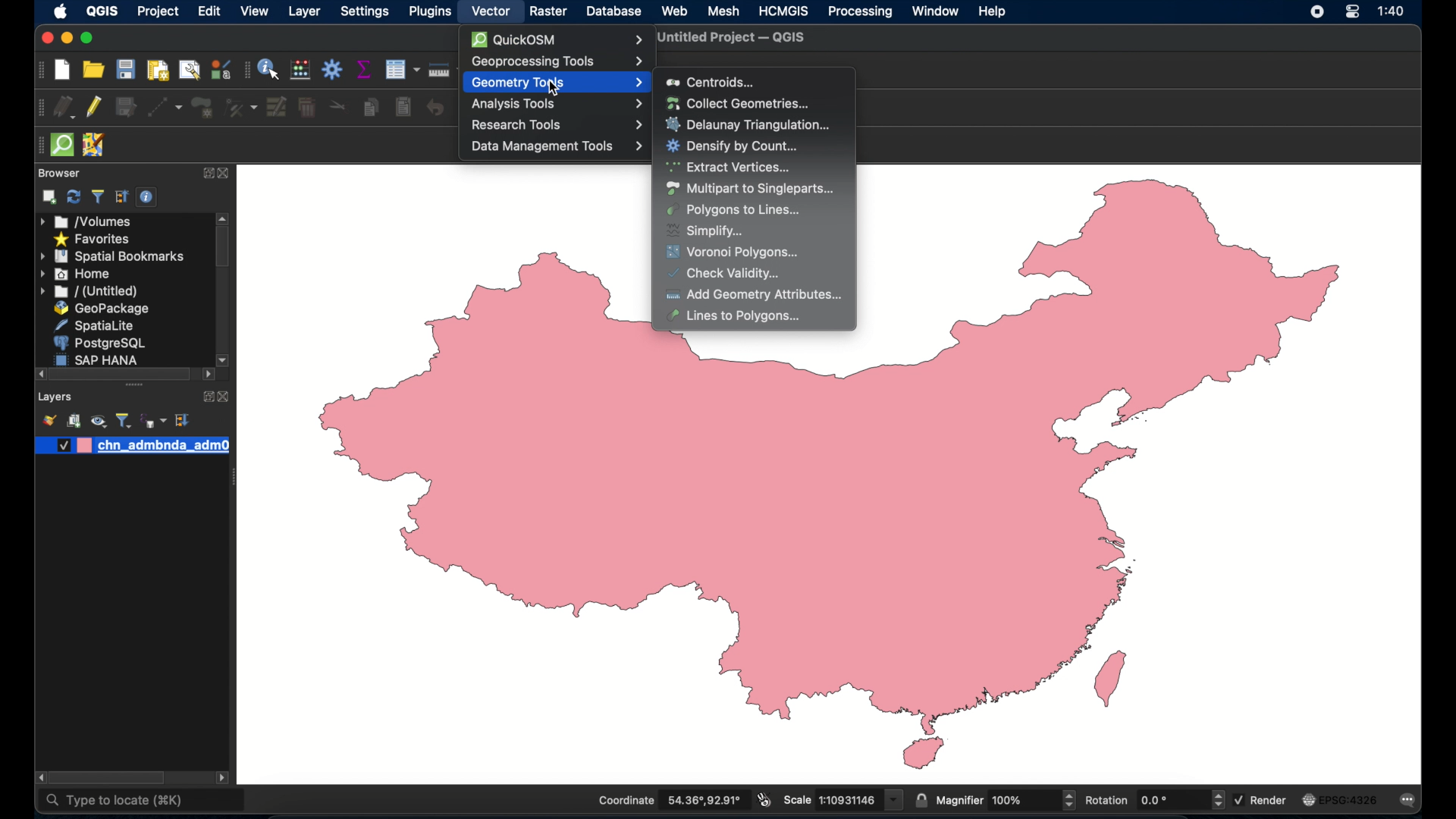 Image resolution: width=1456 pixels, height=819 pixels. I want to click on browser, so click(59, 173).